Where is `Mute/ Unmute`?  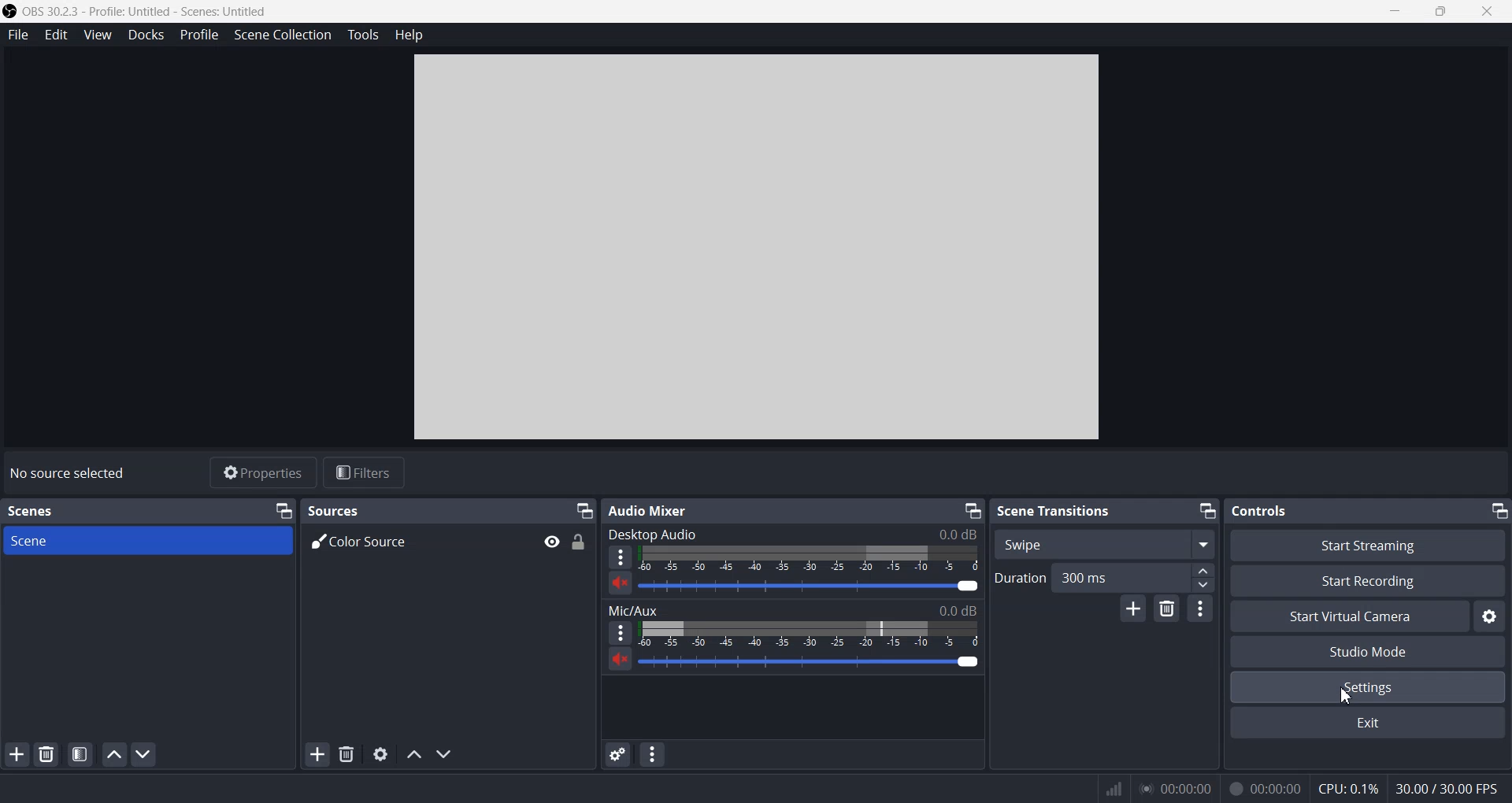
Mute/ Unmute is located at coordinates (620, 658).